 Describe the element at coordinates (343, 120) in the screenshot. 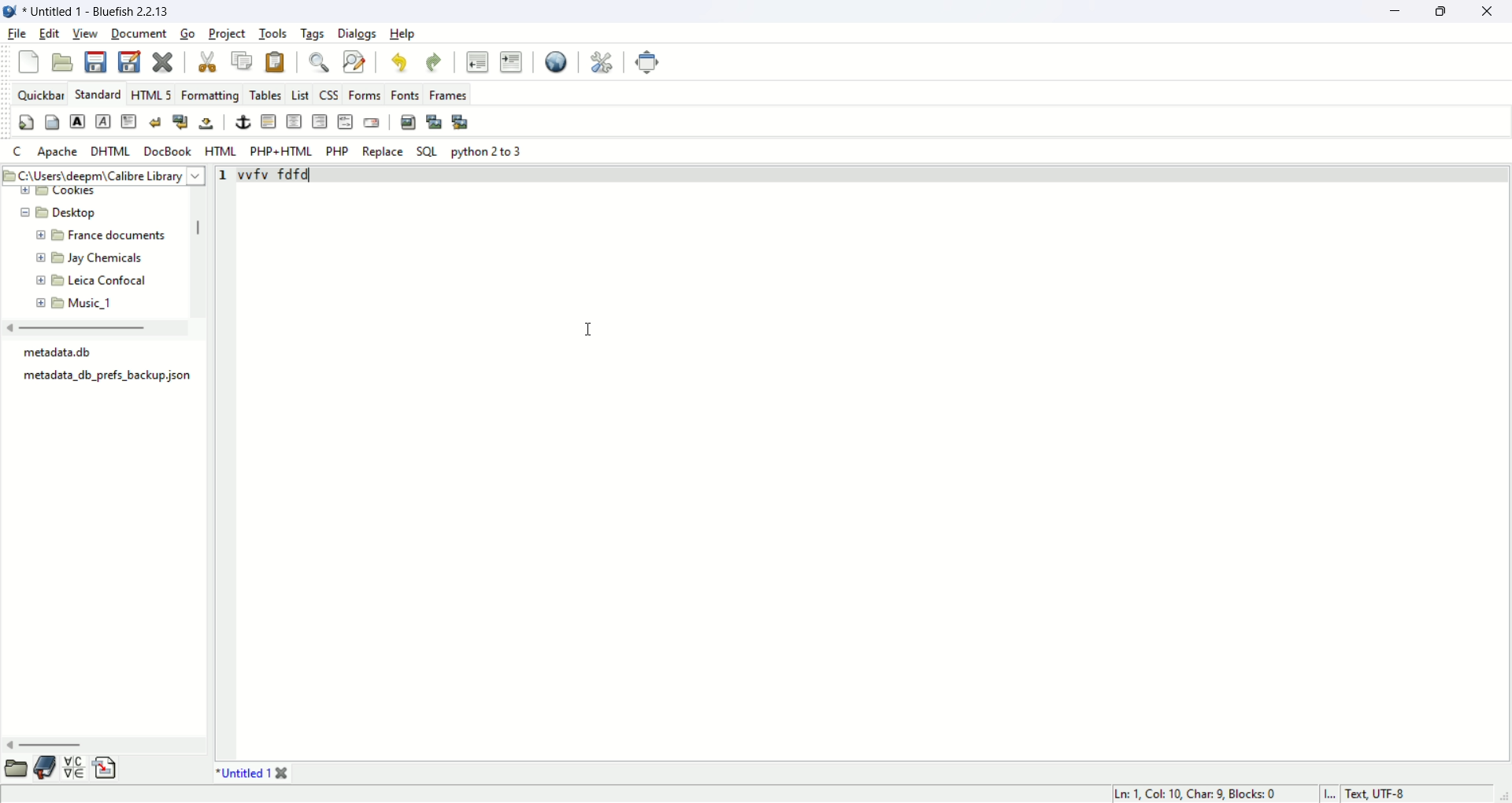

I see `HTML COMMENT` at that location.